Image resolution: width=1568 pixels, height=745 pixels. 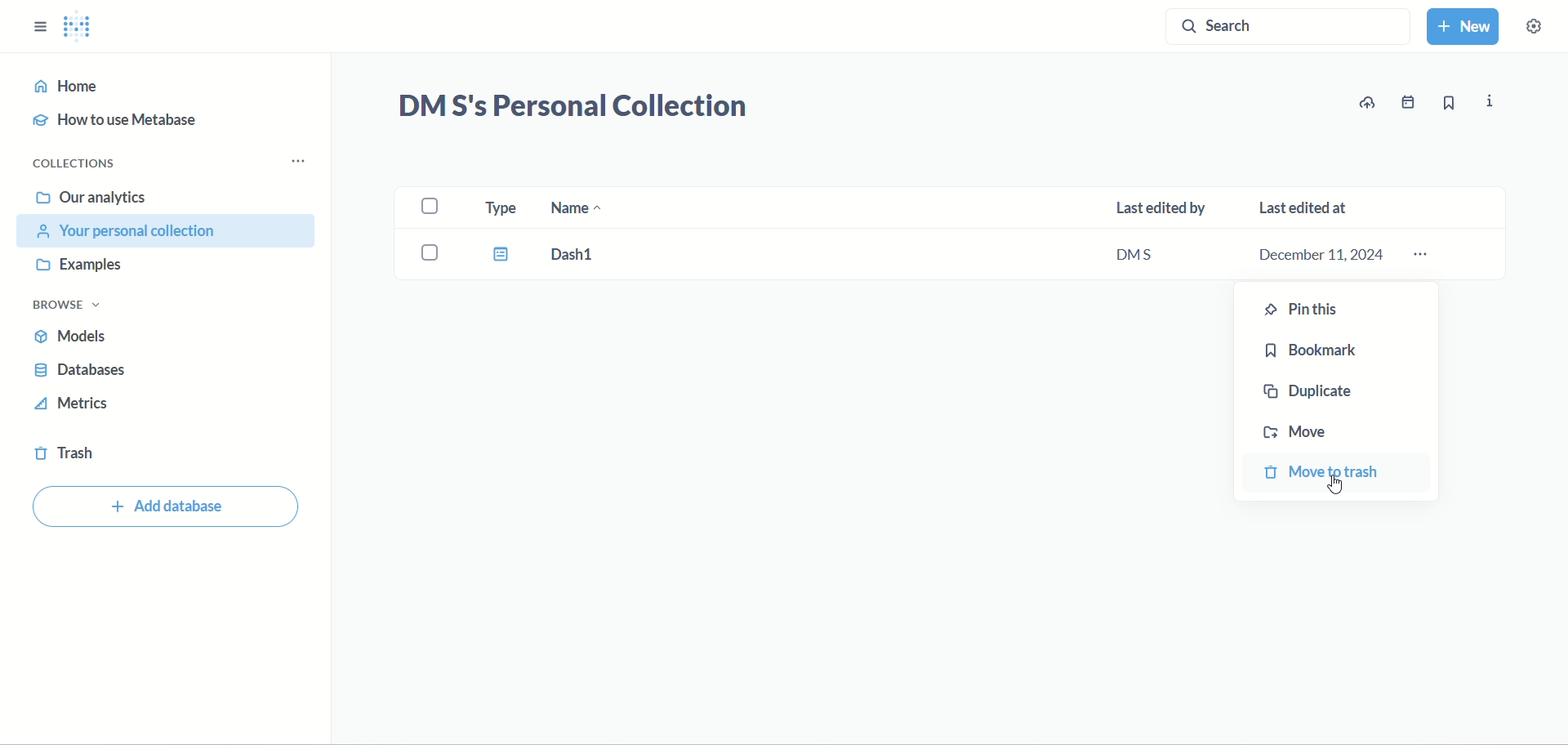 What do you see at coordinates (122, 123) in the screenshot?
I see `how to use metabase` at bounding box center [122, 123].